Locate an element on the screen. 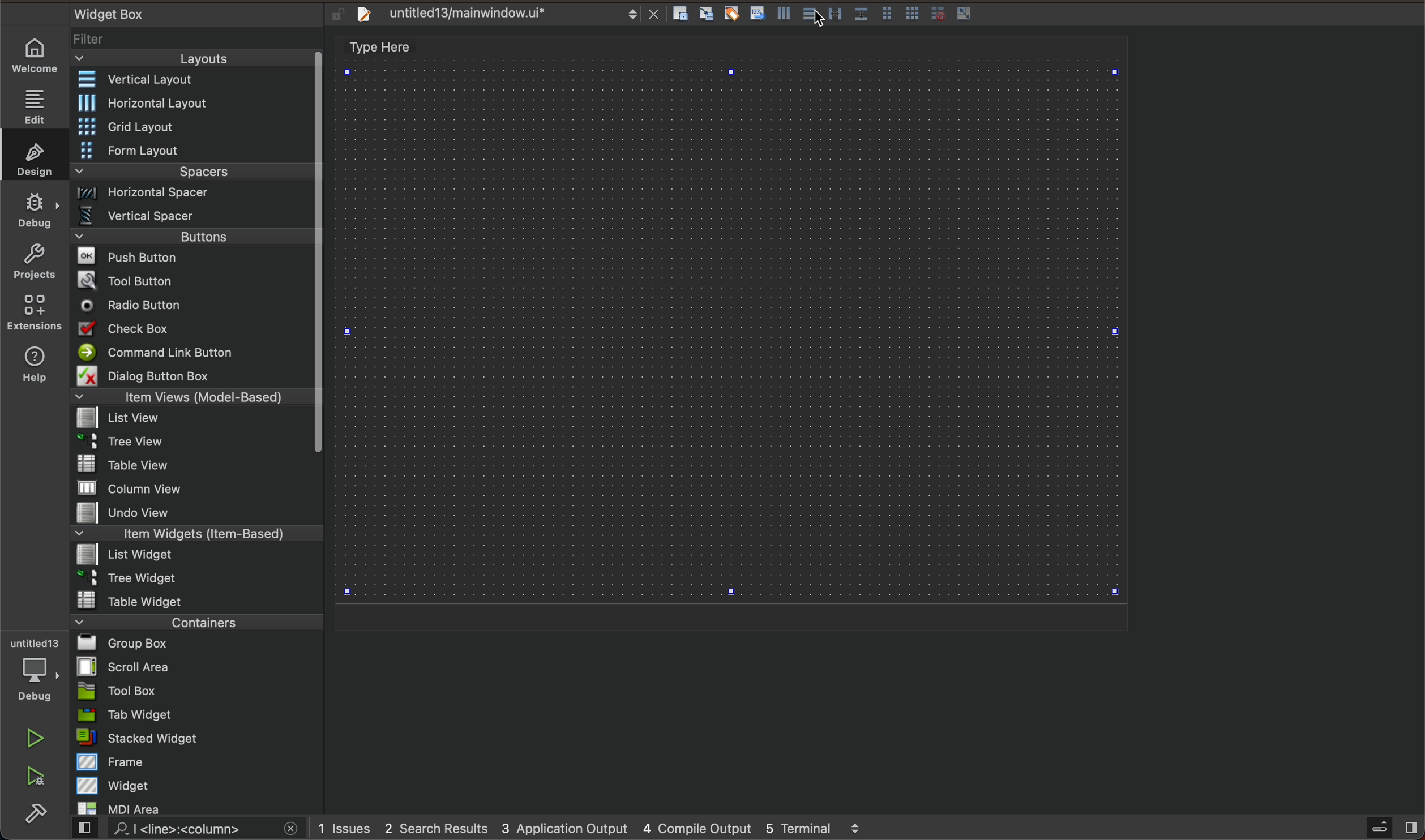 Image resolution: width=1425 pixels, height=840 pixels. column view is located at coordinates (196, 487).